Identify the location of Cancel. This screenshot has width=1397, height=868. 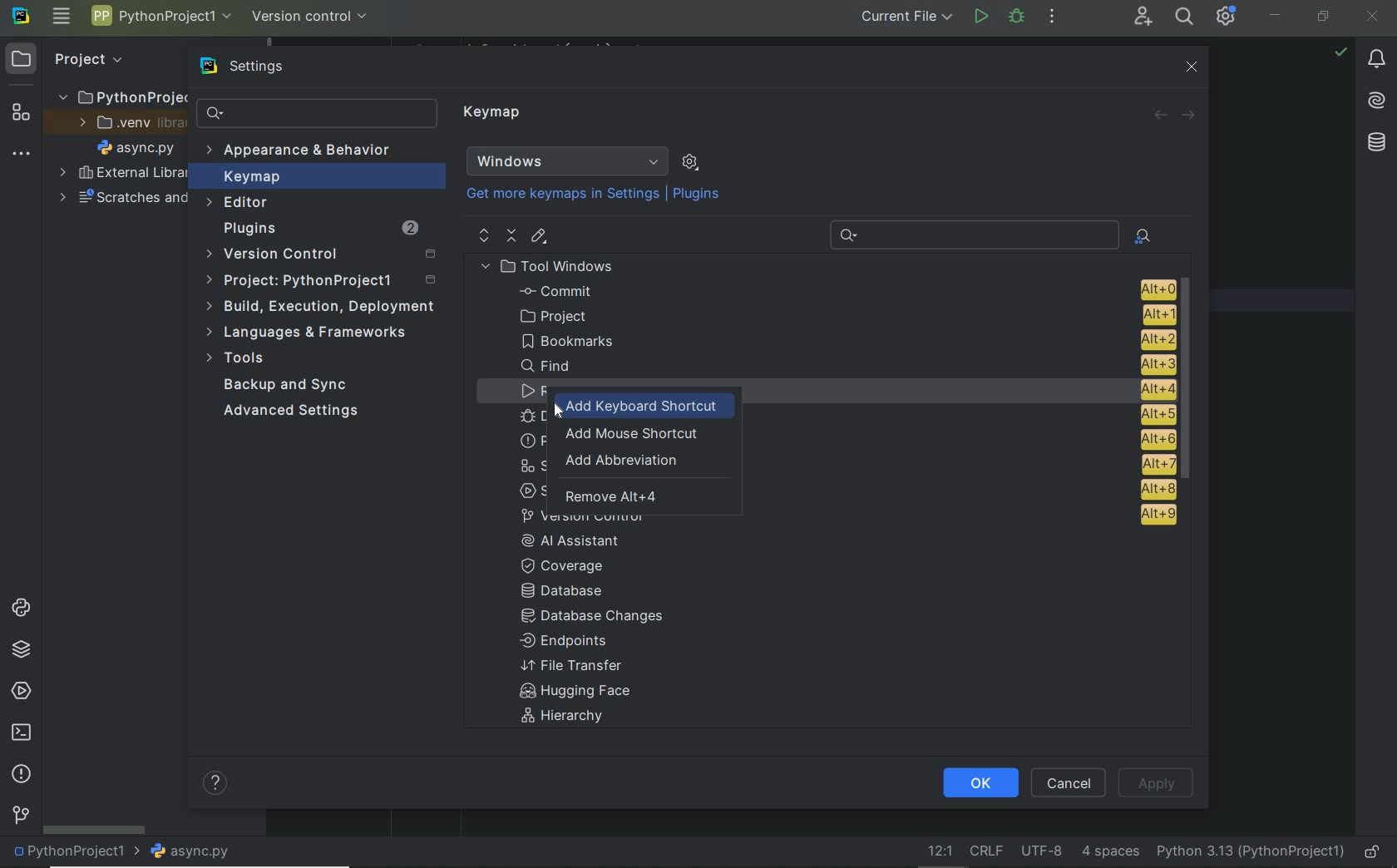
(1071, 782).